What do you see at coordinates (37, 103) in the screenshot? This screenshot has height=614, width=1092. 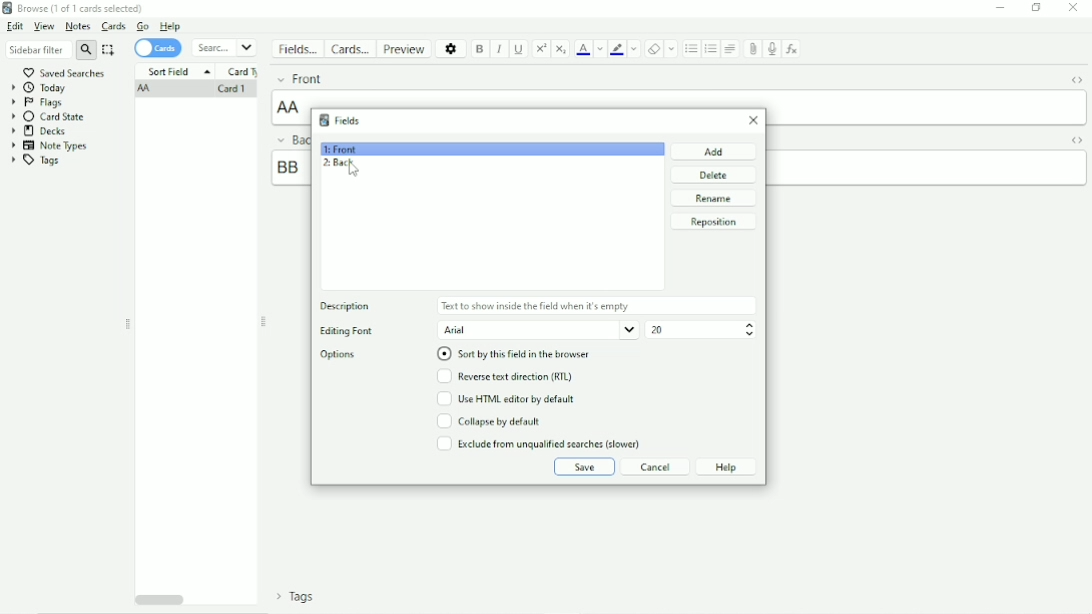 I see `Flags` at bounding box center [37, 103].